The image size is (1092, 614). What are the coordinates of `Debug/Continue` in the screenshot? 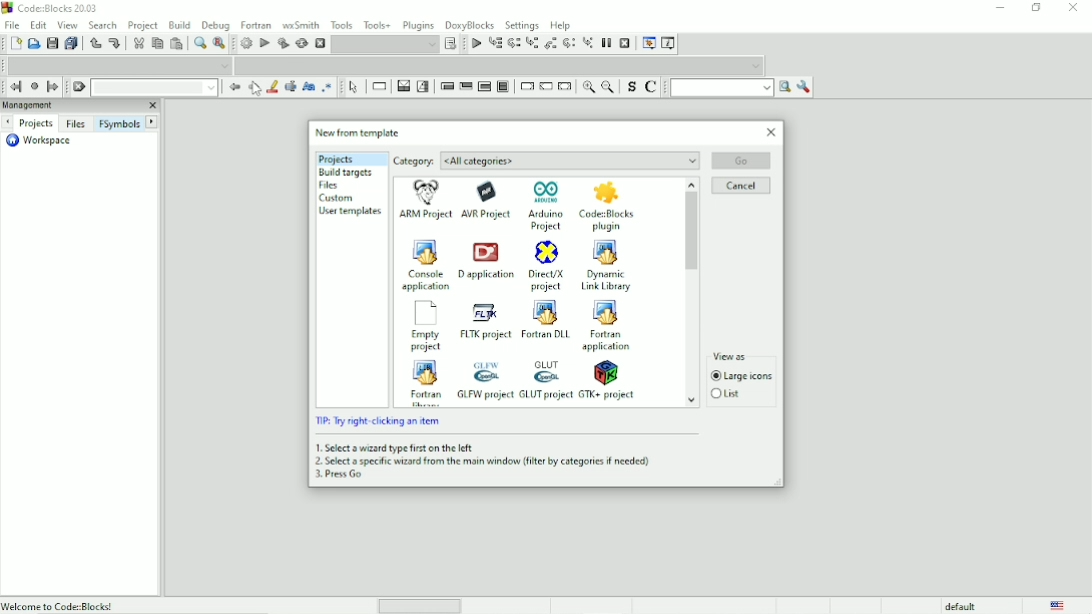 It's located at (475, 43).